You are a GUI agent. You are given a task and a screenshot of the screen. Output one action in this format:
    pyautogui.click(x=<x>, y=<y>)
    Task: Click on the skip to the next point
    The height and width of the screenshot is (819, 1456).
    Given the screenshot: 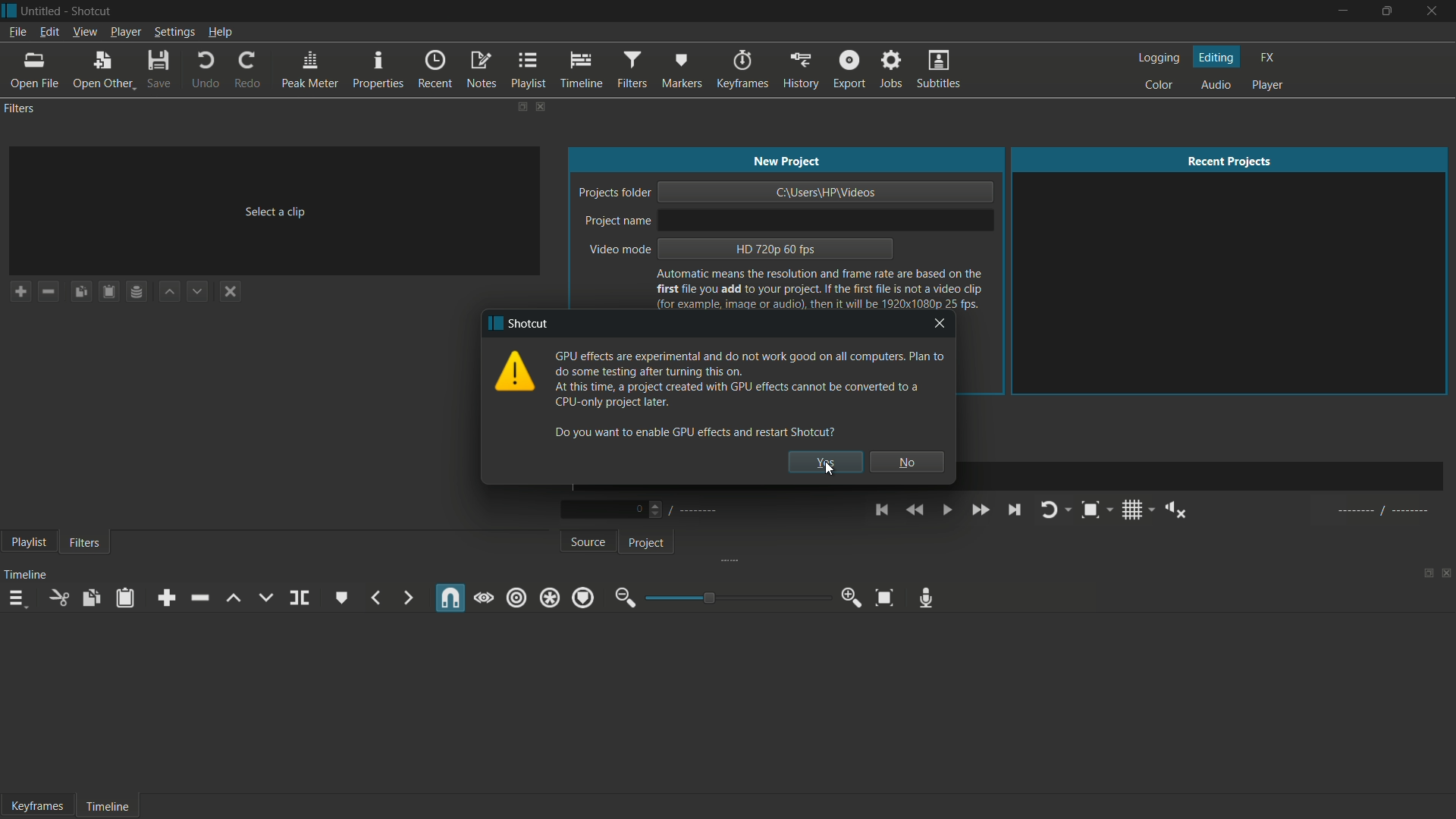 What is the action you would take?
    pyautogui.click(x=1014, y=510)
    